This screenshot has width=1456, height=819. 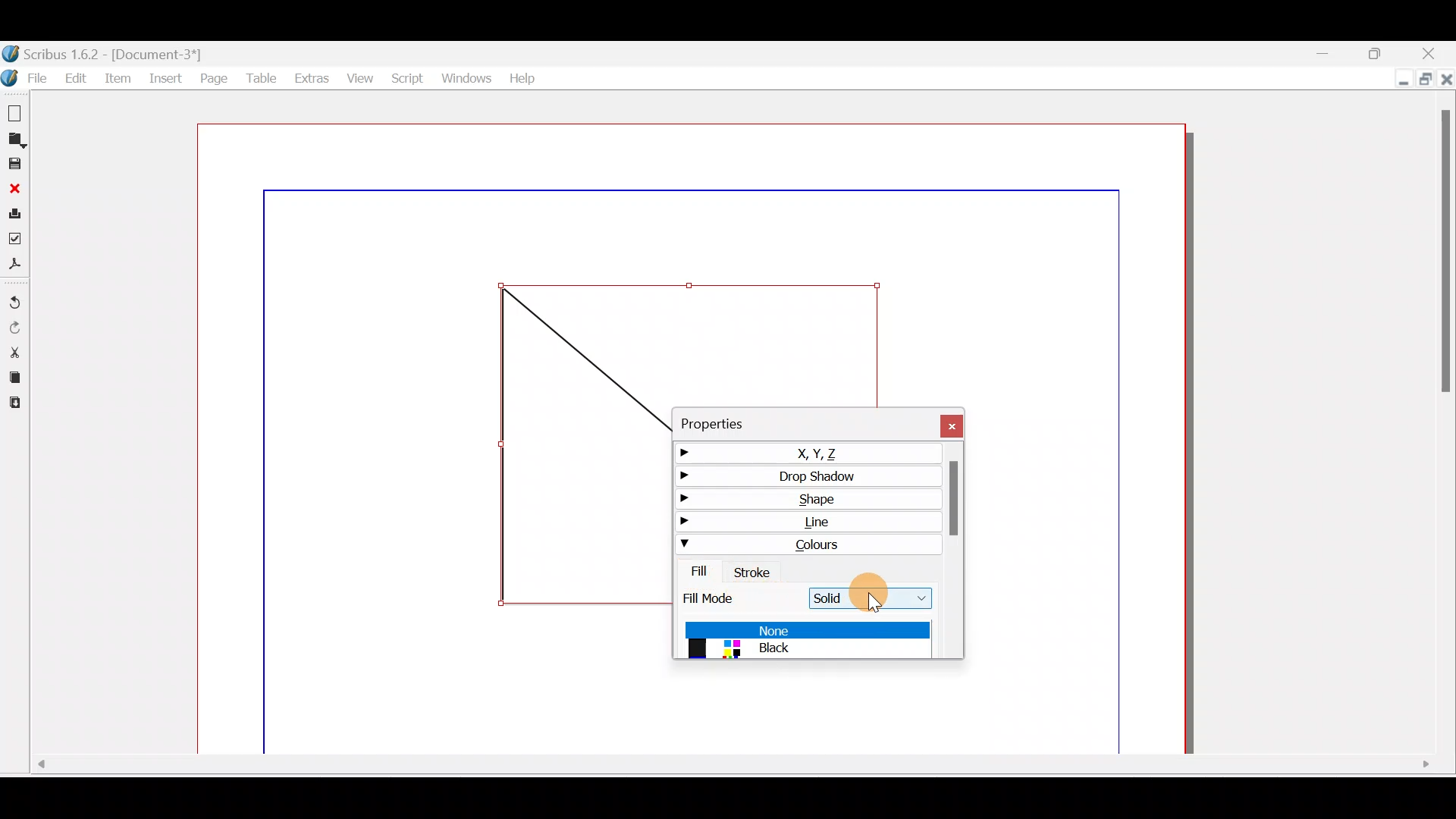 What do you see at coordinates (799, 450) in the screenshot?
I see `X,Y,Z` at bounding box center [799, 450].